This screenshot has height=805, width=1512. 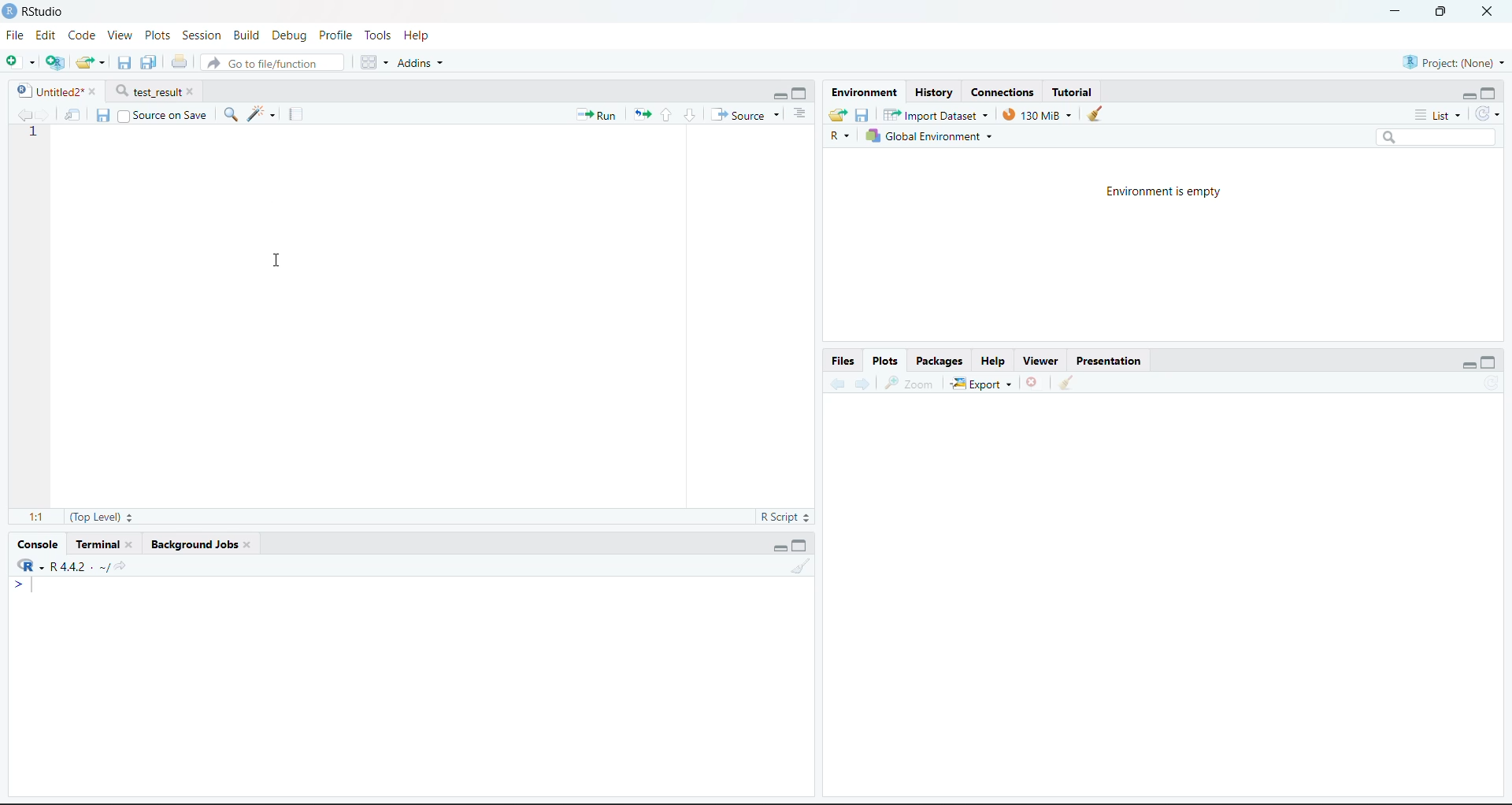 What do you see at coordinates (246, 34) in the screenshot?
I see `Build` at bounding box center [246, 34].